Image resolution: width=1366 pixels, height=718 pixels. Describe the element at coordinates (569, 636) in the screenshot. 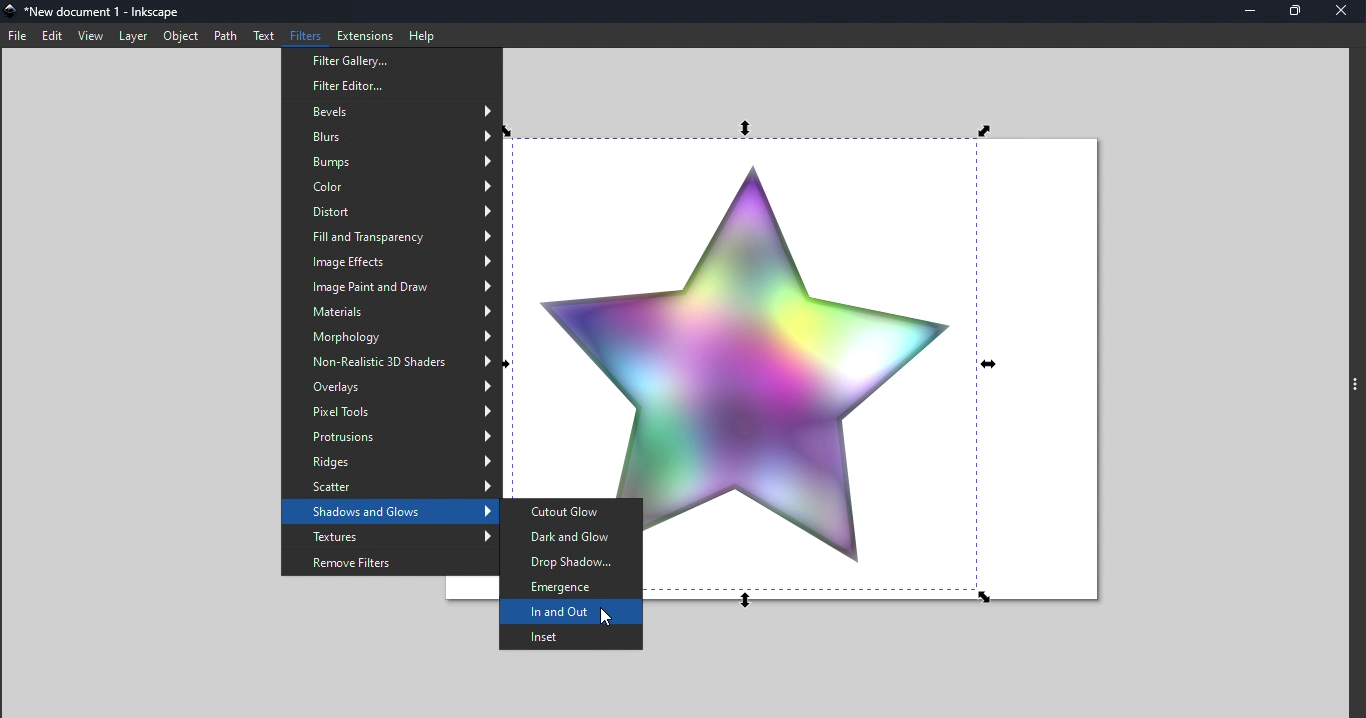

I see `Inset` at that location.